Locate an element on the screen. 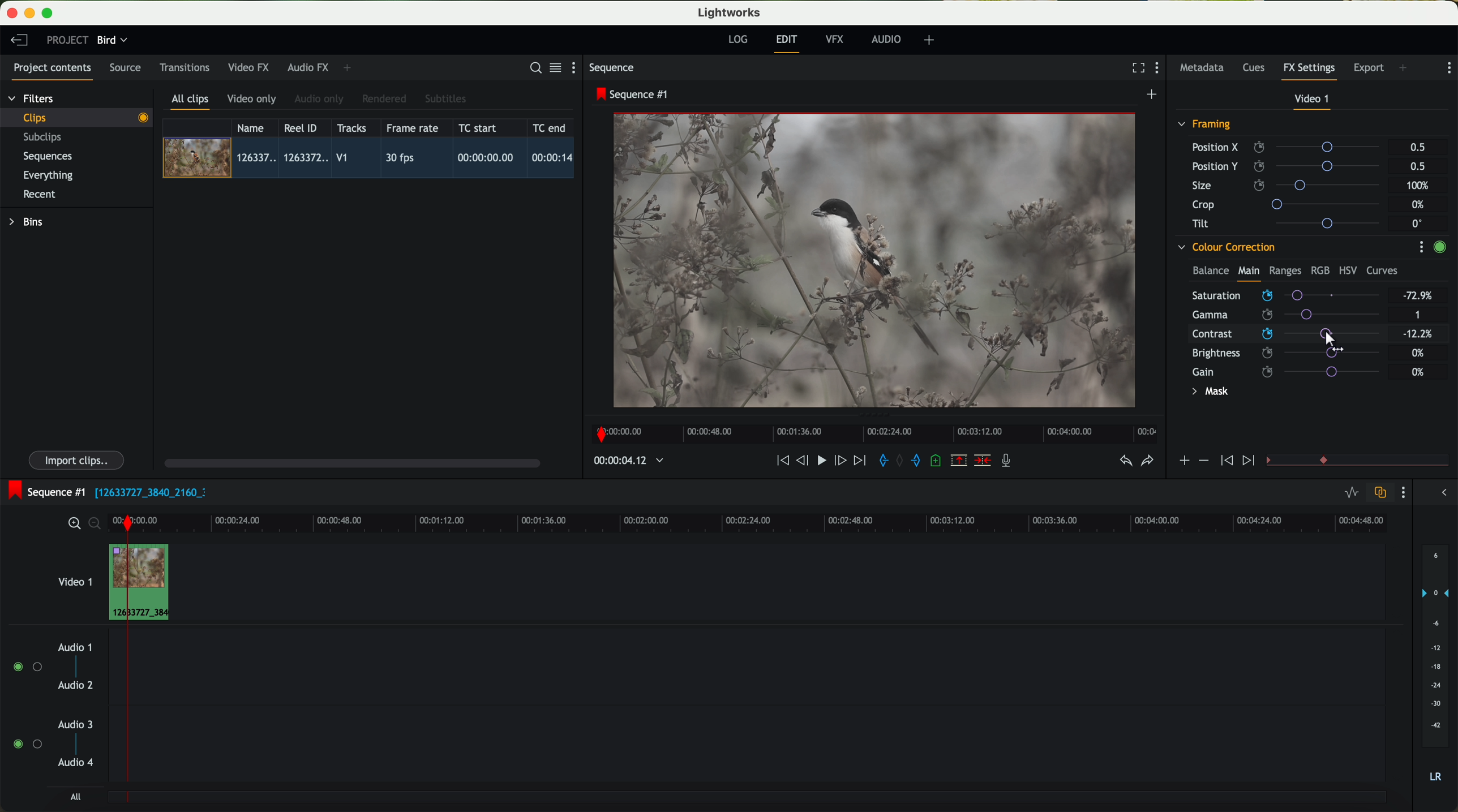  show settings menu is located at coordinates (1160, 69).